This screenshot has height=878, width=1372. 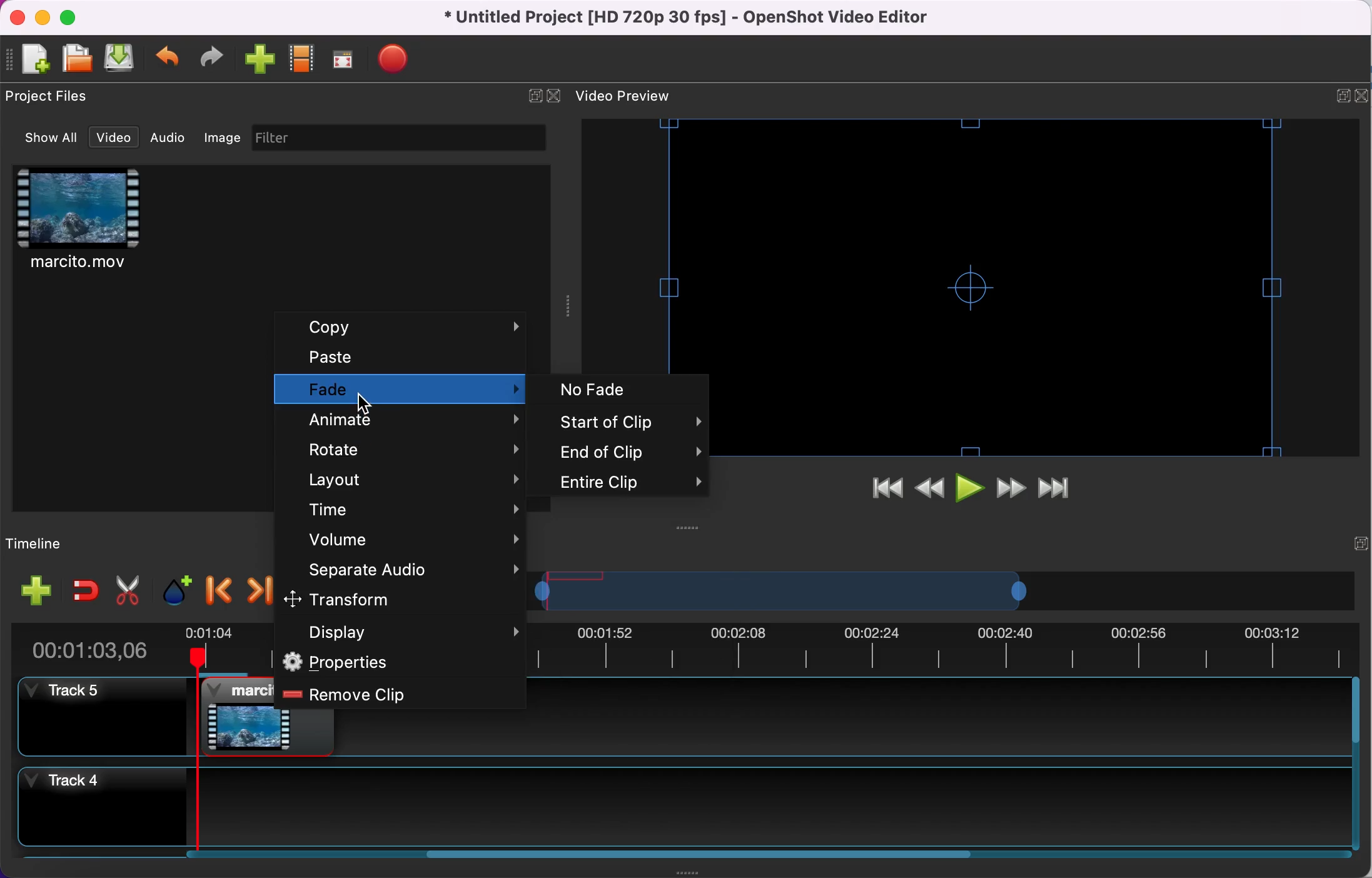 I want to click on video preview, so click(x=645, y=98).